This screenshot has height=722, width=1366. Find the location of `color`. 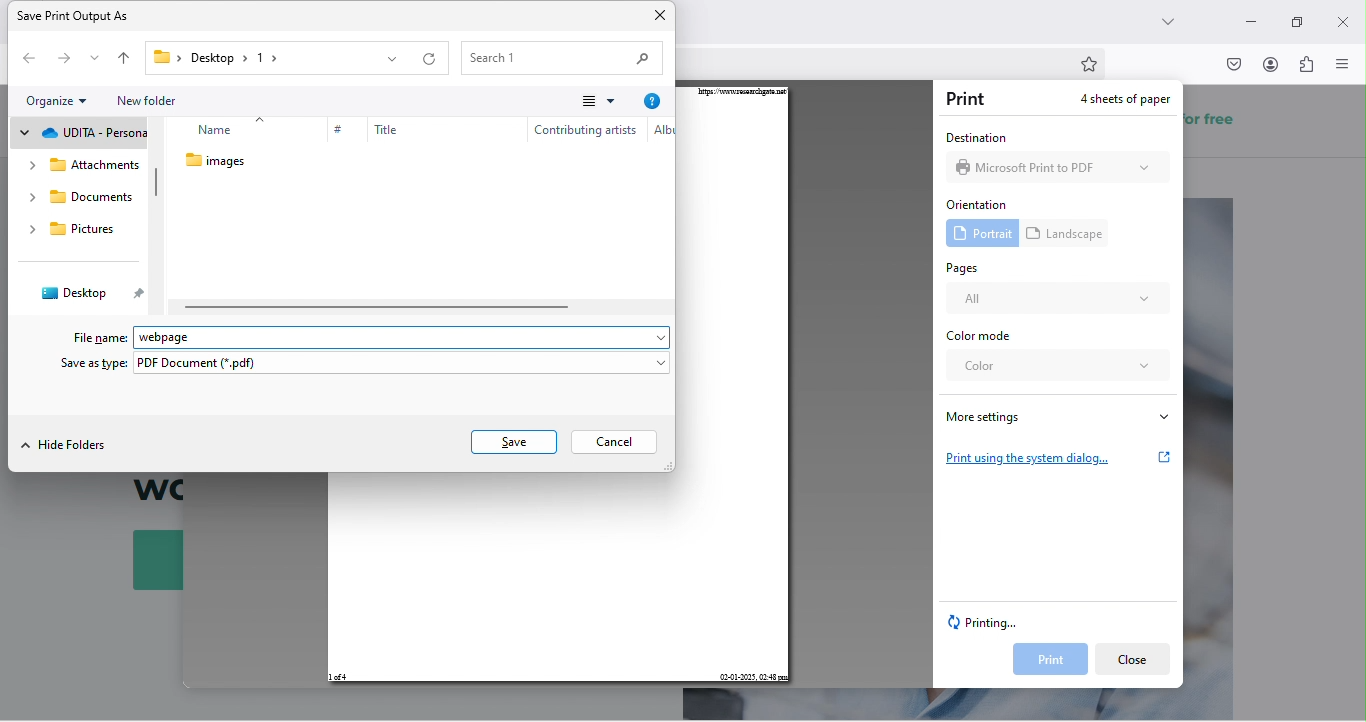

color is located at coordinates (1060, 371).